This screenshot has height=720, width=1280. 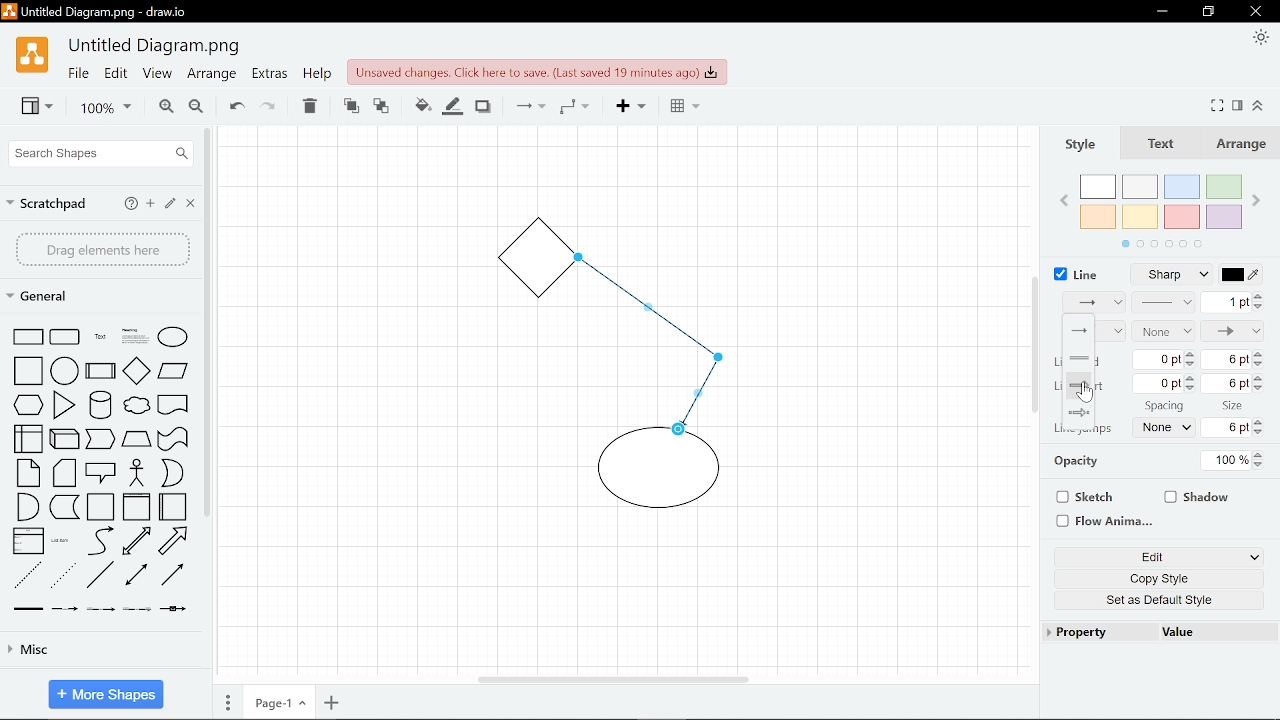 I want to click on Edit, so click(x=1144, y=558).